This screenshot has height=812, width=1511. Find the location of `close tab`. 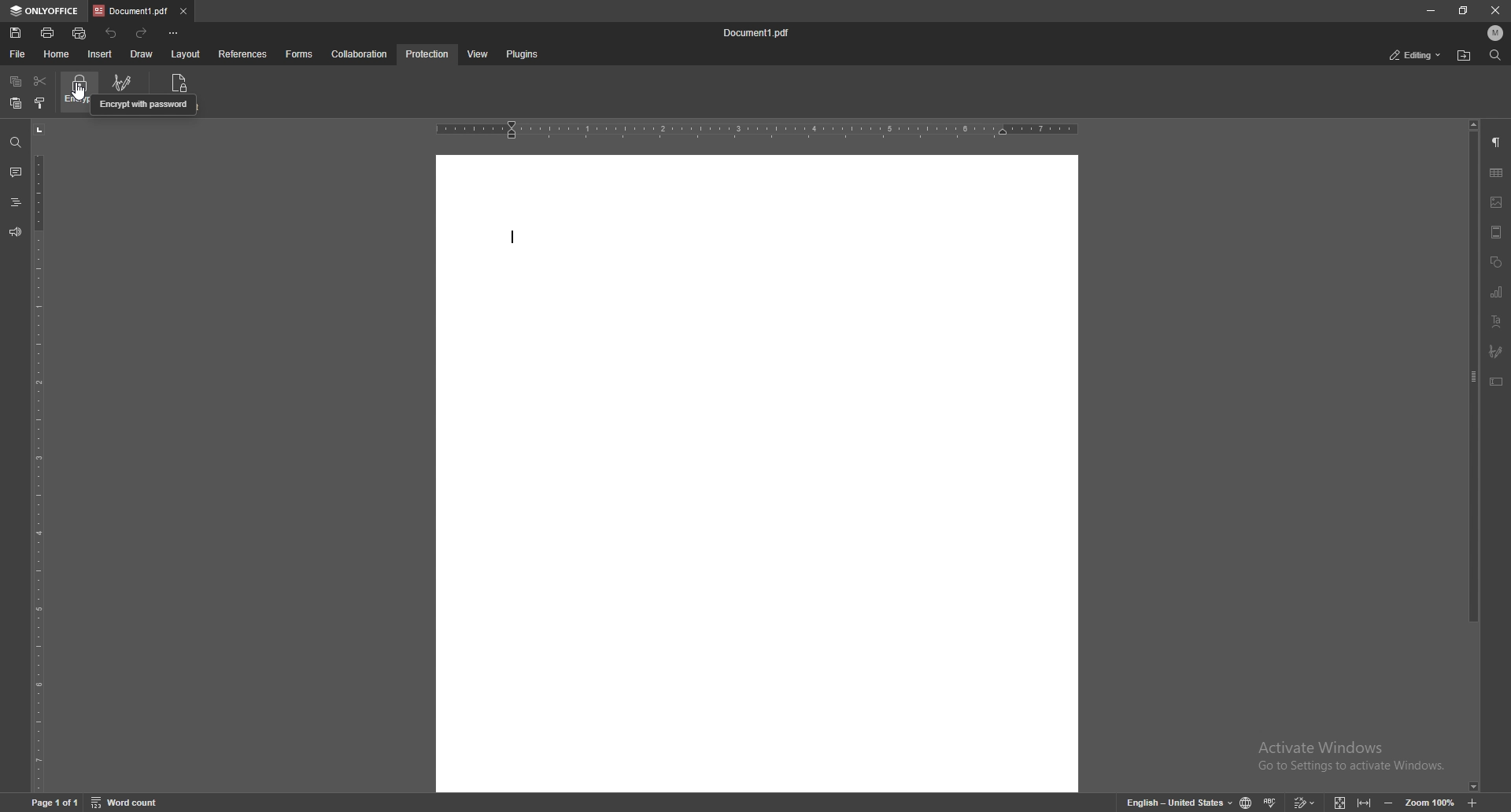

close tab is located at coordinates (183, 10).